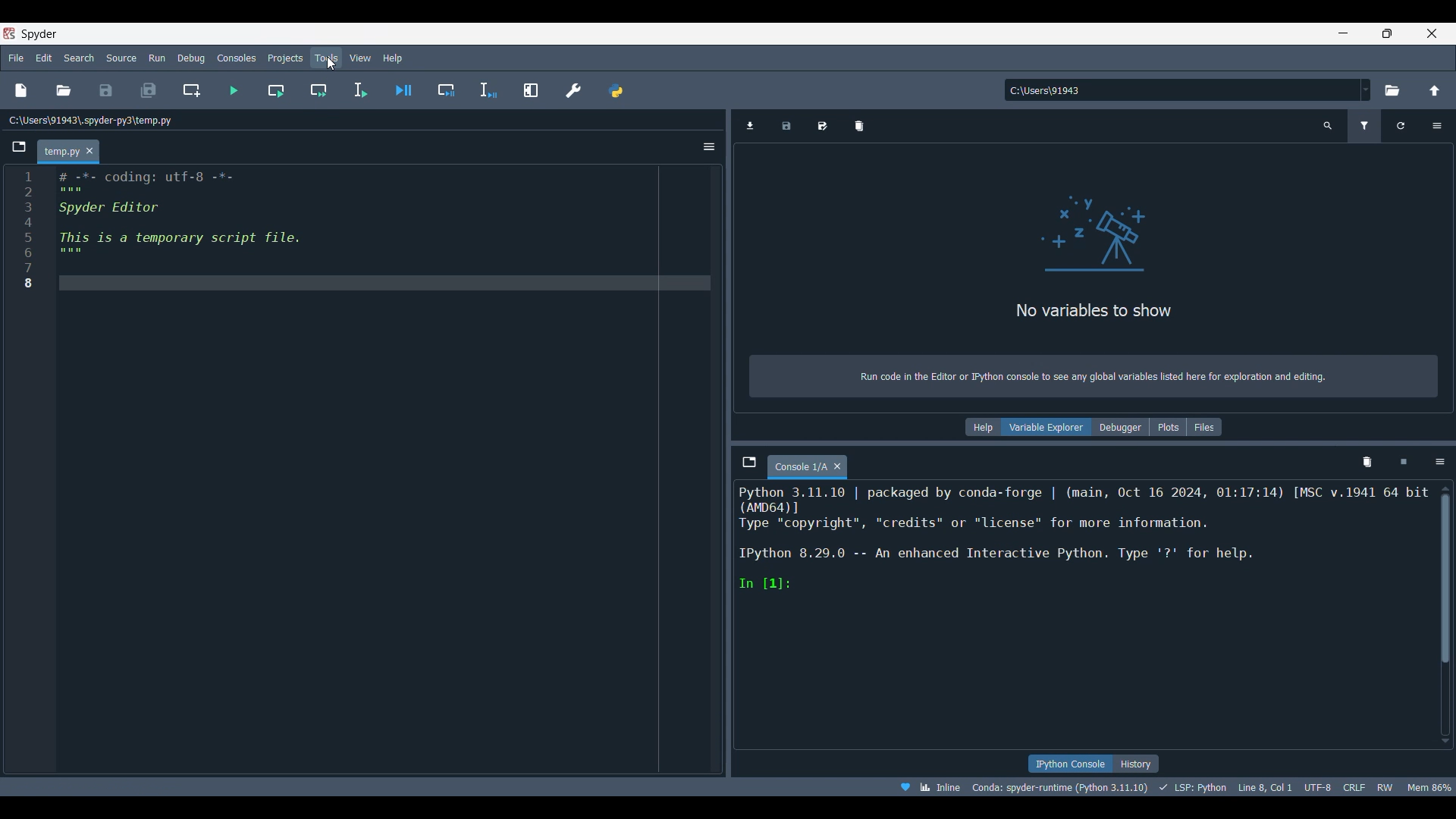 The image size is (1456, 819). What do you see at coordinates (80, 58) in the screenshot?
I see `Search menu` at bounding box center [80, 58].